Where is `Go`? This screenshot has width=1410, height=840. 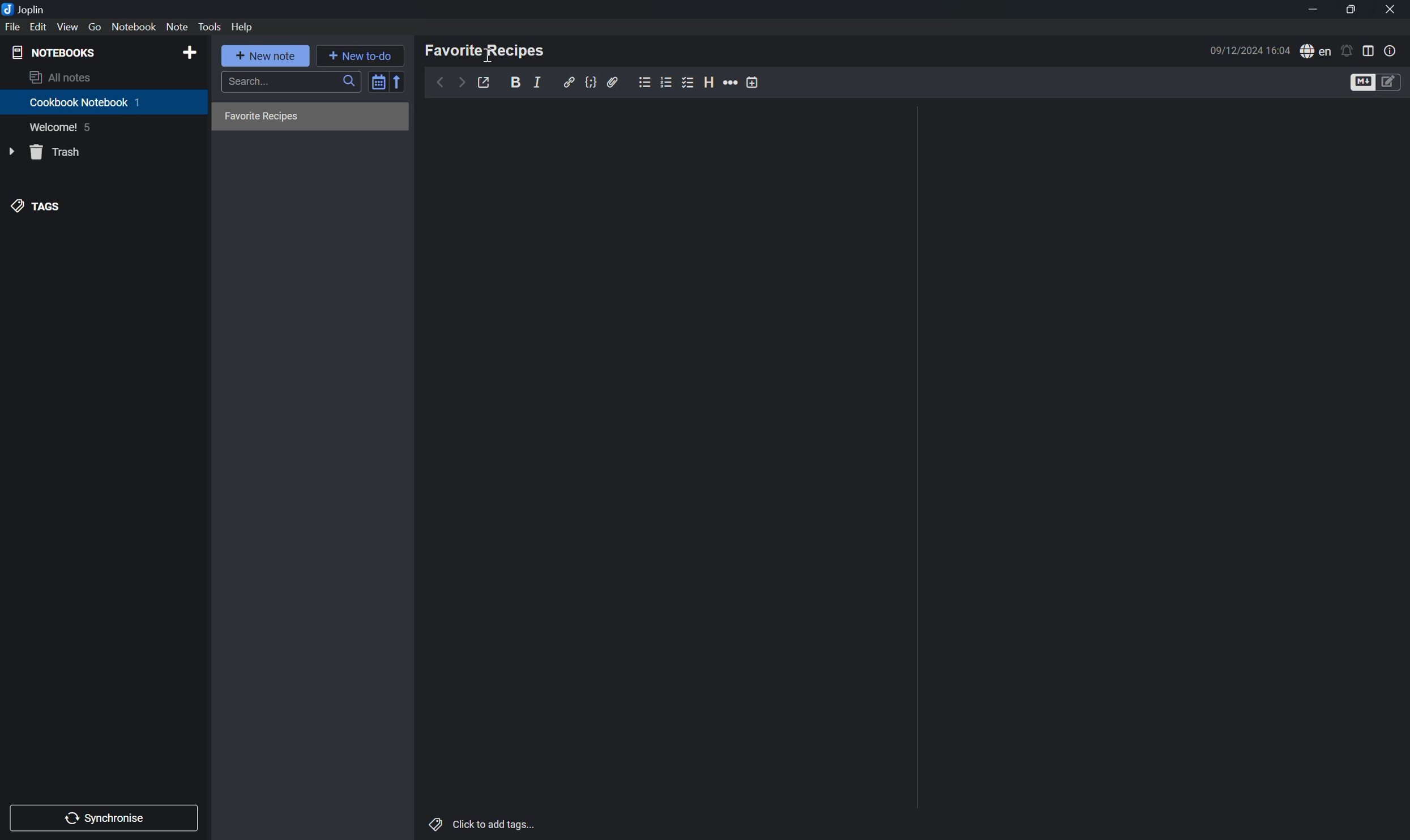 Go is located at coordinates (96, 27).